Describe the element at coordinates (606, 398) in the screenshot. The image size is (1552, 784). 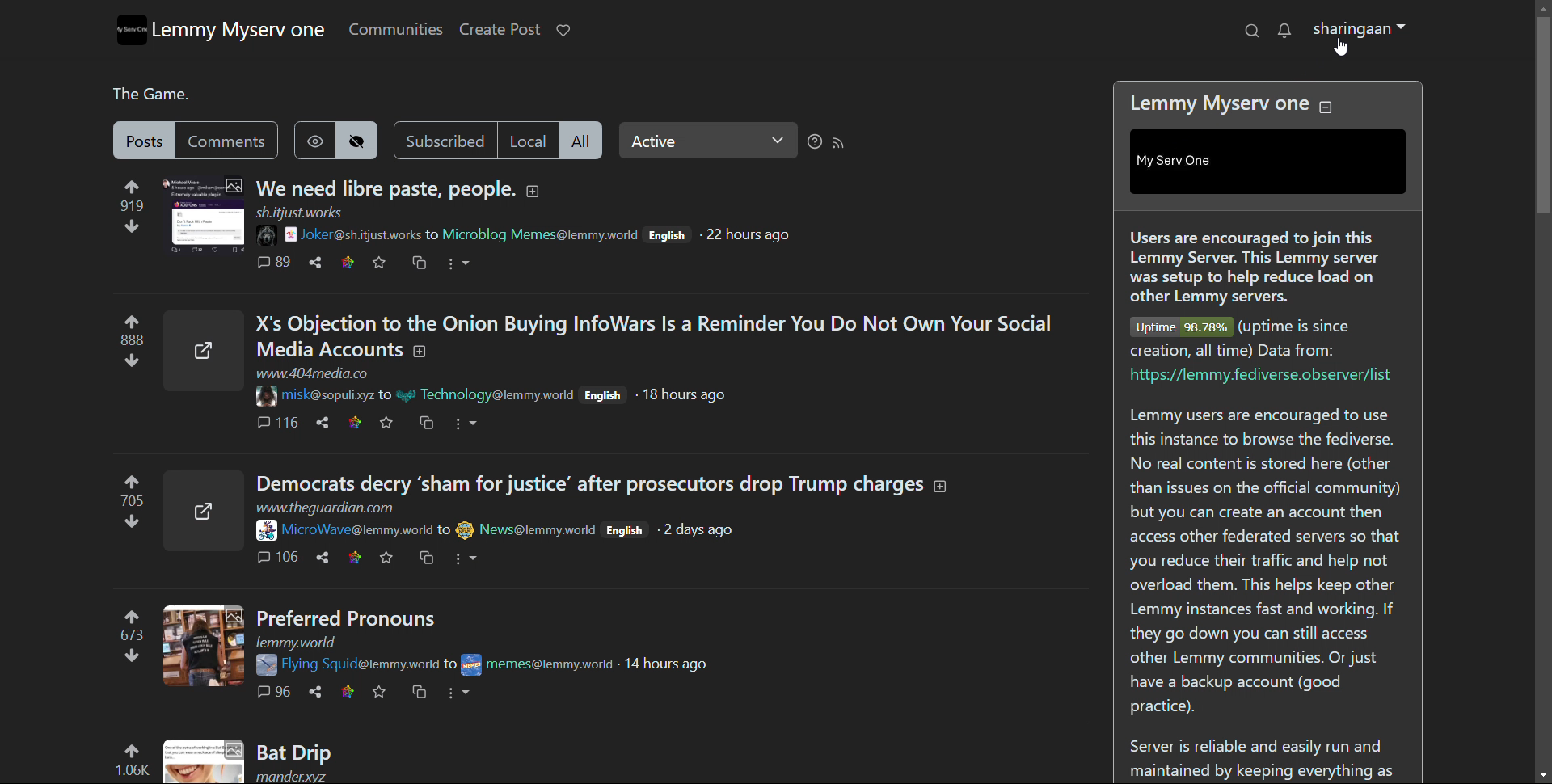
I see `English` at that location.